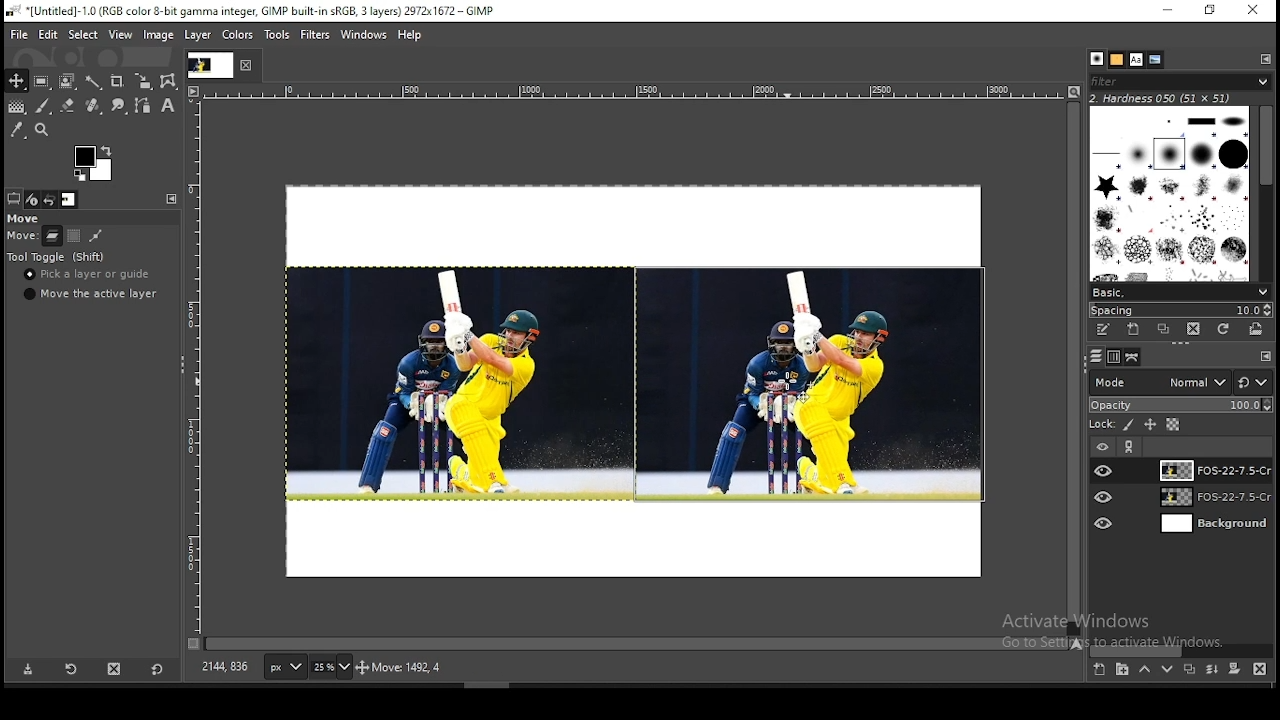 Image resolution: width=1280 pixels, height=720 pixels. I want to click on move, so click(22, 238).